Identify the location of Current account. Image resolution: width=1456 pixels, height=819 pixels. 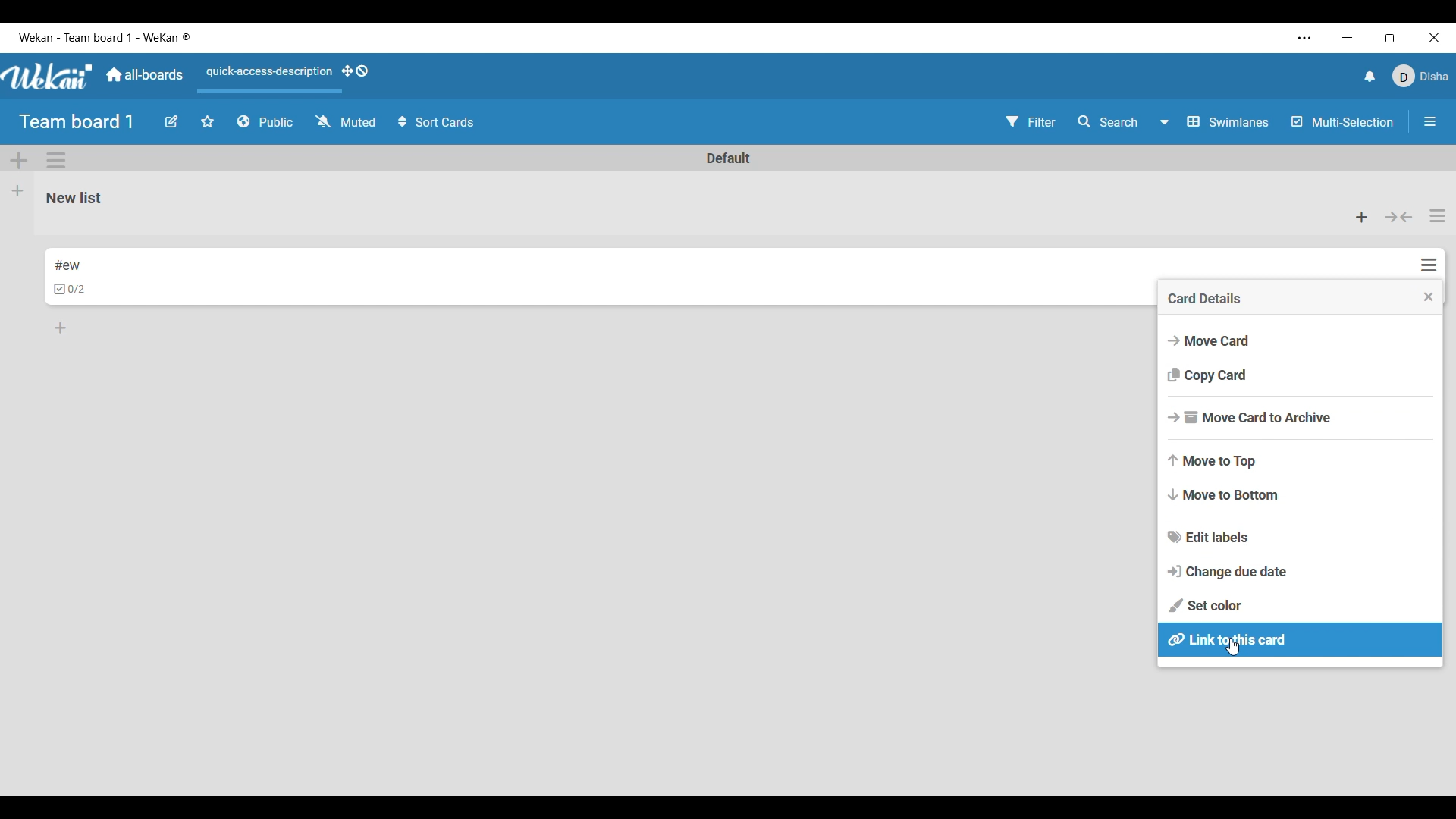
(1420, 77).